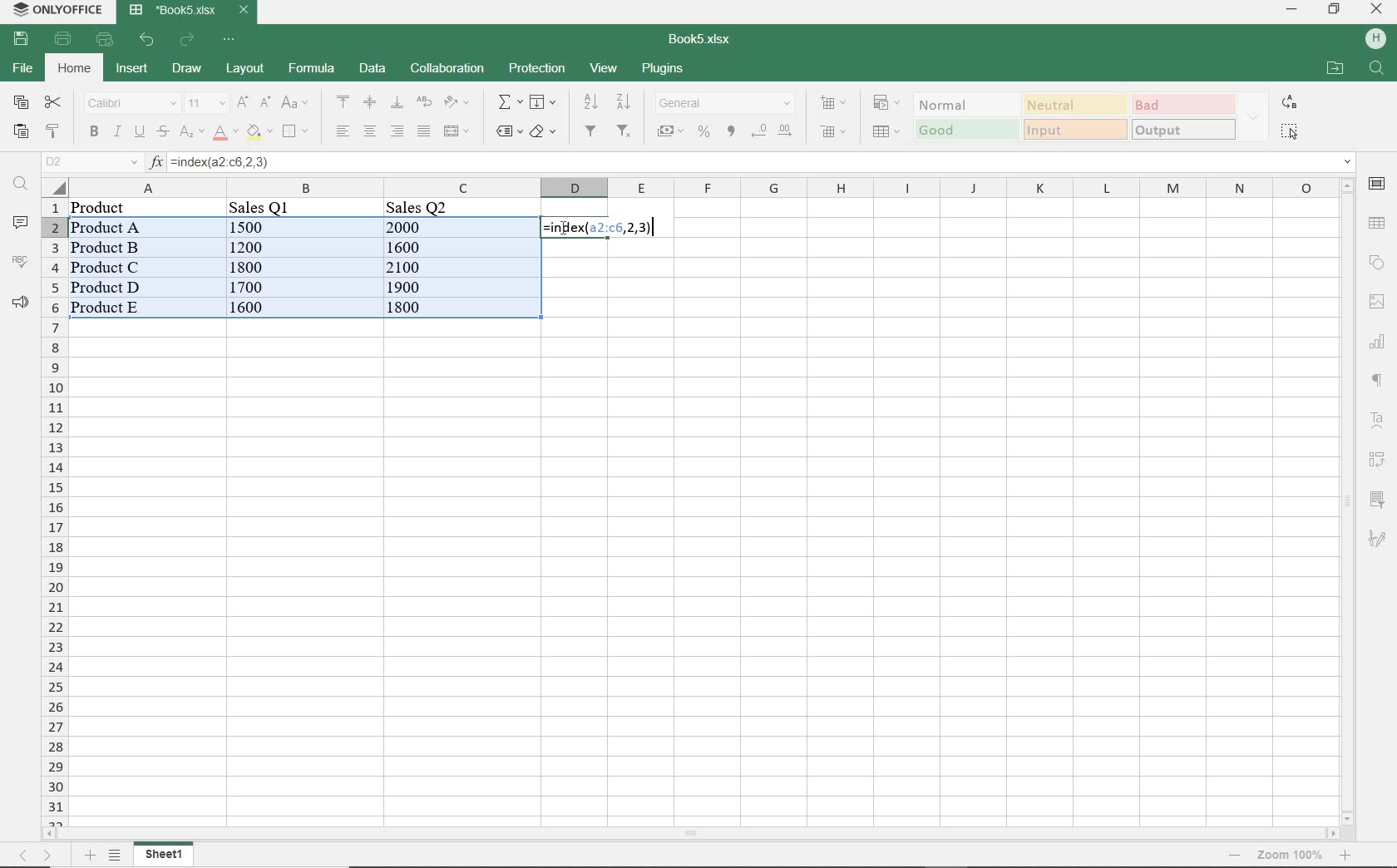  Describe the element at coordinates (1291, 104) in the screenshot. I see `replace` at that location.